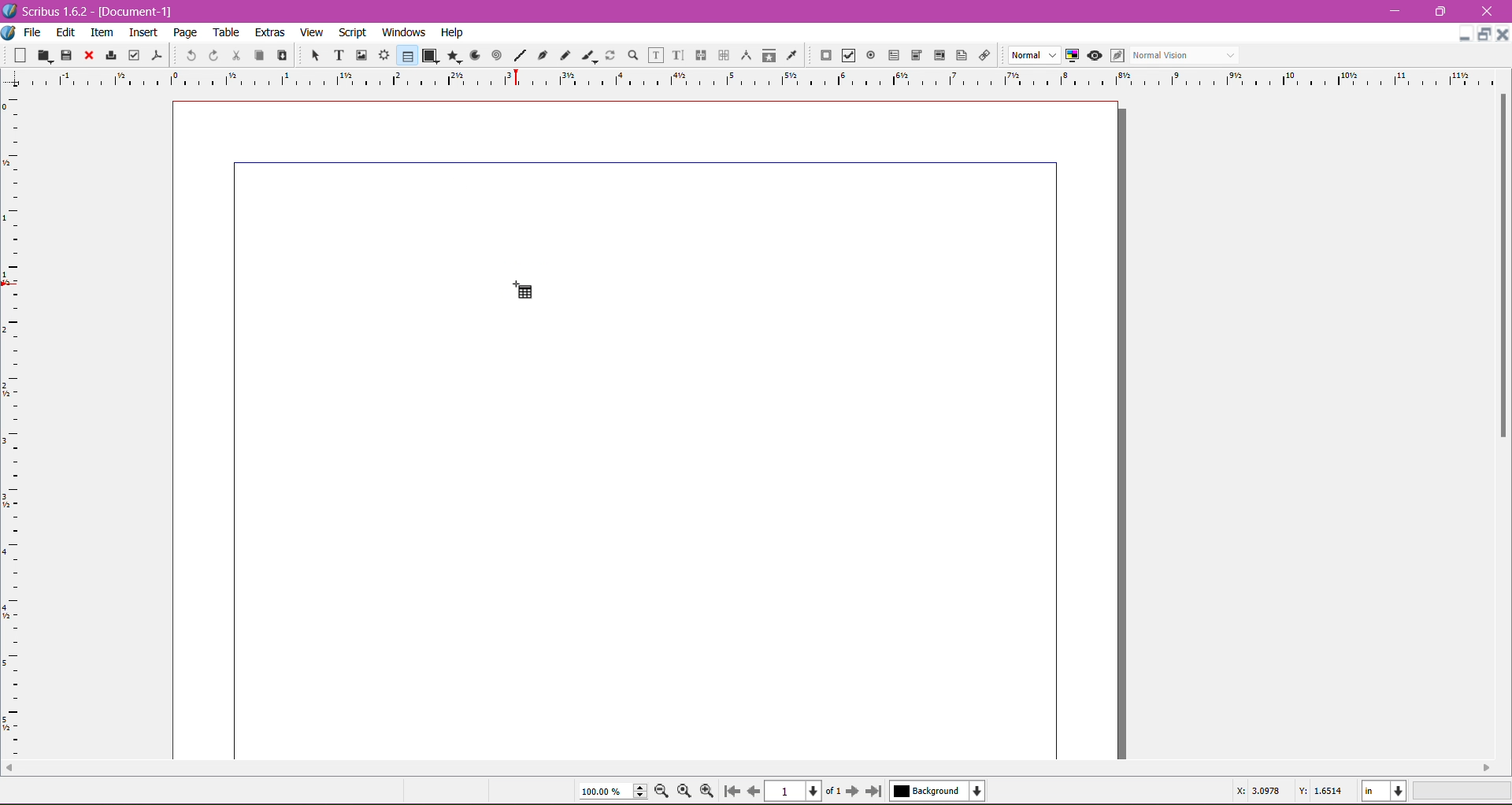 This screenshot has width=1512, height=805. Describe the element at coordinates (1385, 788) in the screenshot. I see `in / Unit` at that location.